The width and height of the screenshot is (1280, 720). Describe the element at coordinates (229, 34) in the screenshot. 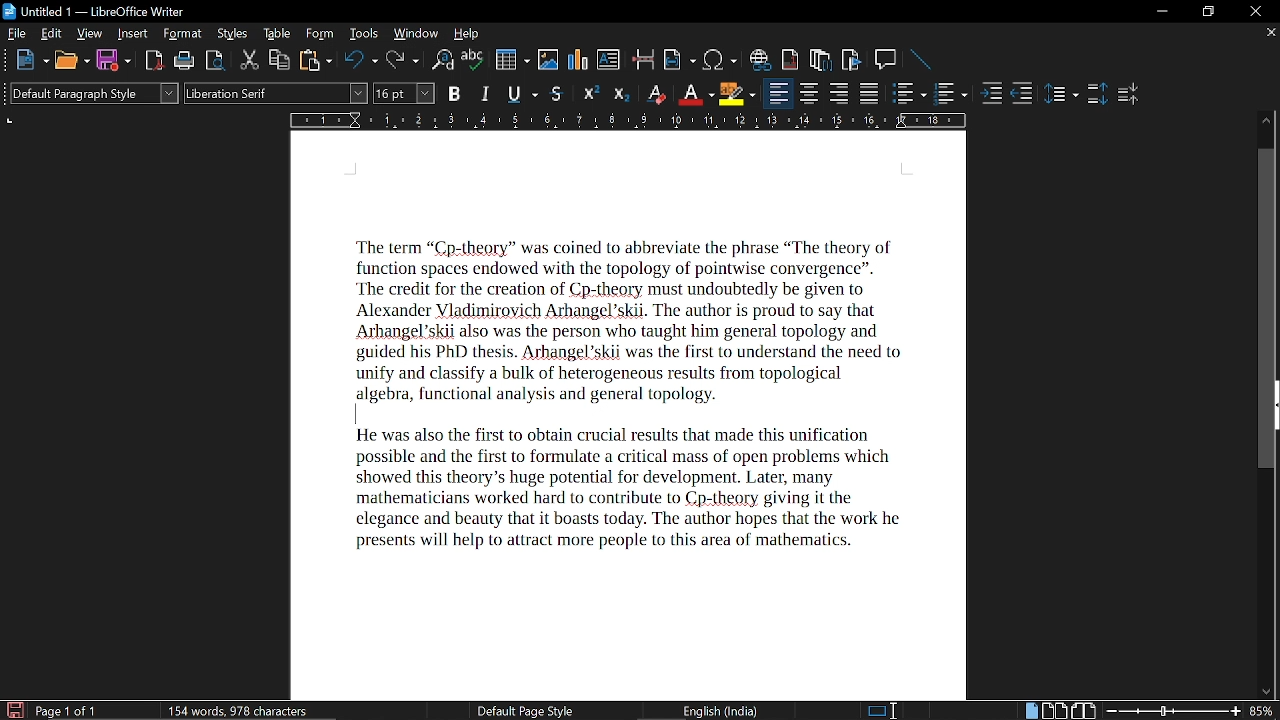

I see `Styles` at that location.